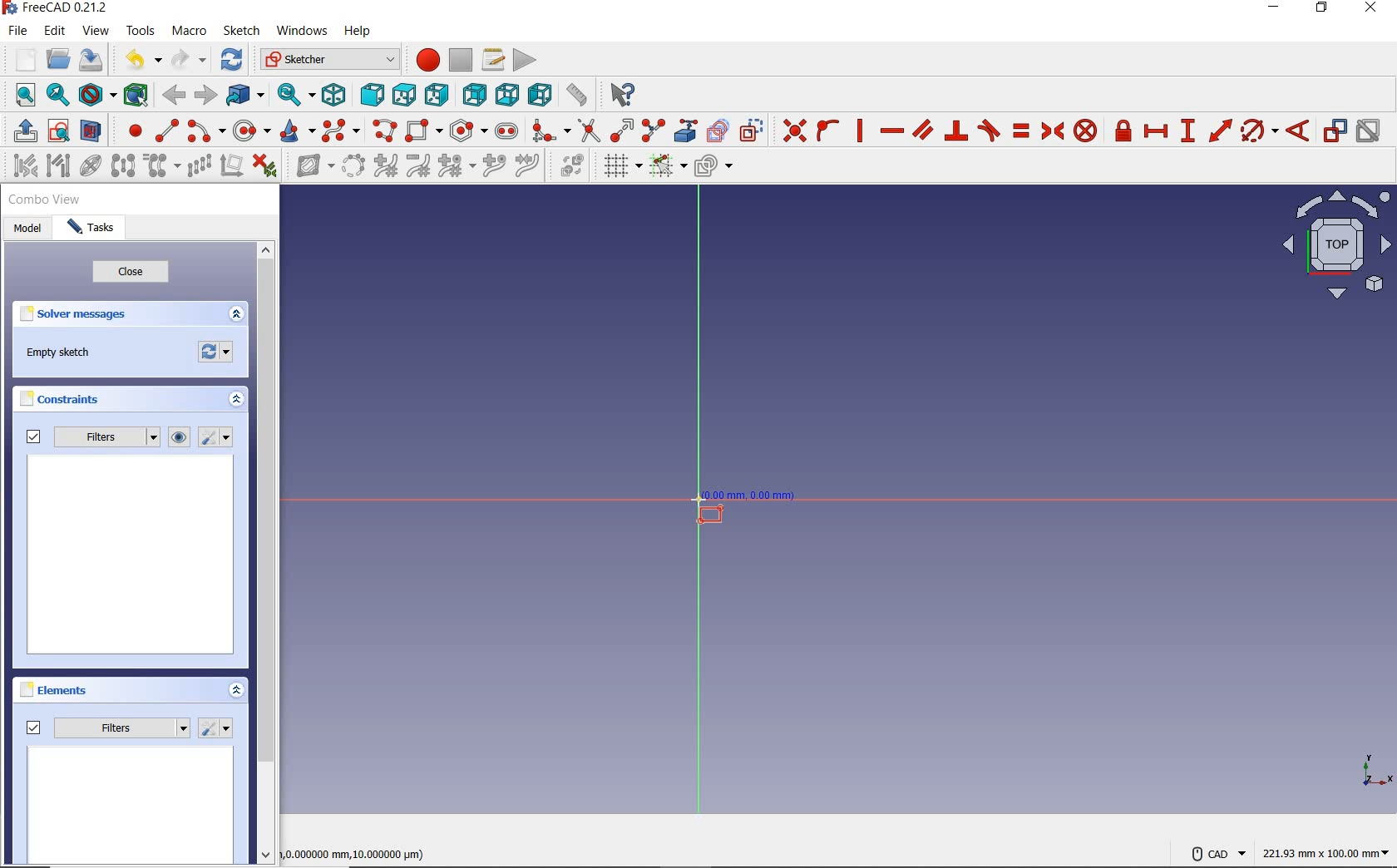  Describe the element at coordinates (234, 401) in the screenshot. I see `expand` at that location.